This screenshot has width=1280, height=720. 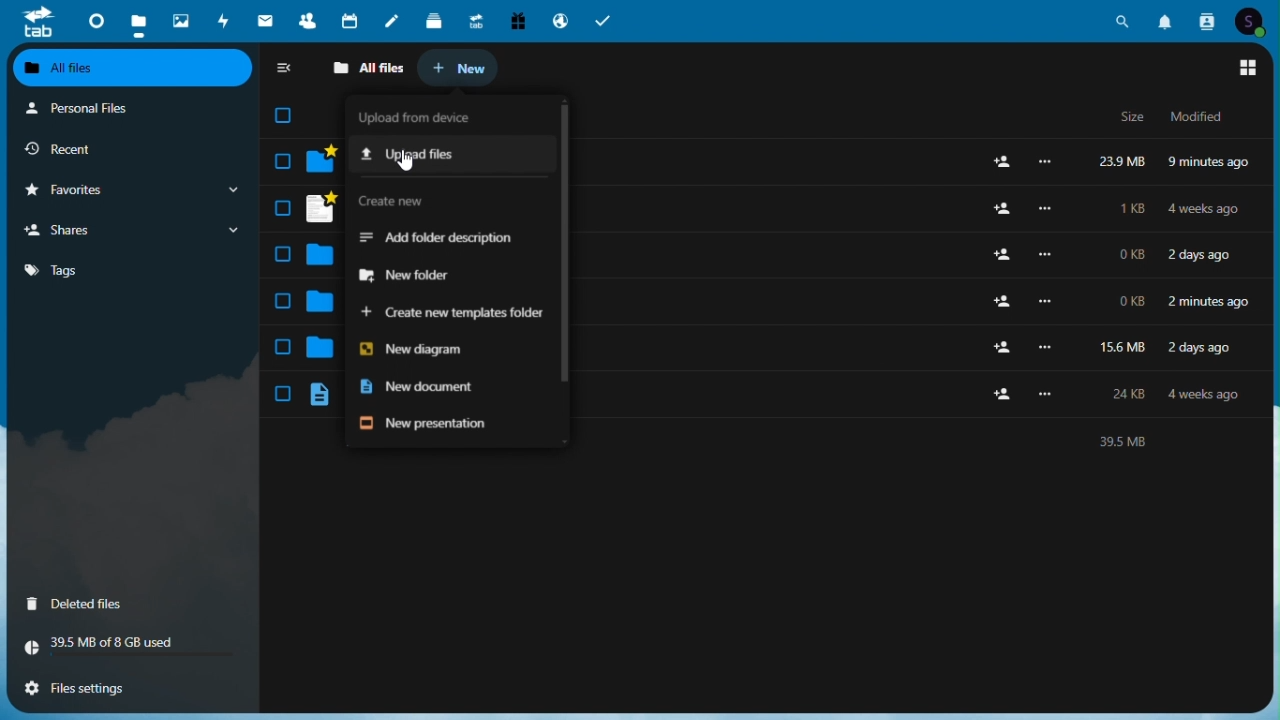 What do you see at coordinates (1110, 442) in the screenshot?
I see `text` at bounding box center [1110, 442].